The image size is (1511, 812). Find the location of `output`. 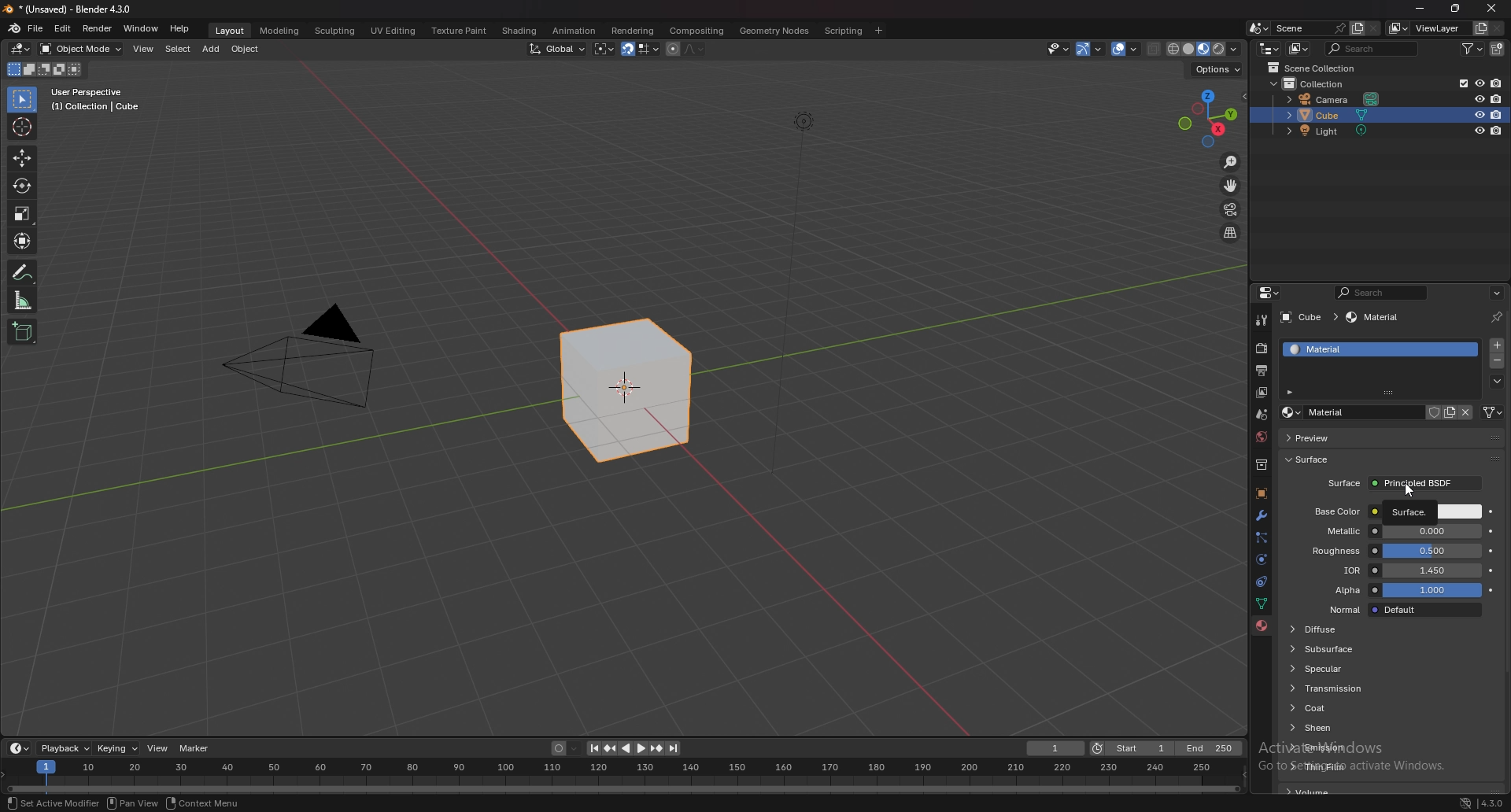

output is located at coordinates (1260, 371).